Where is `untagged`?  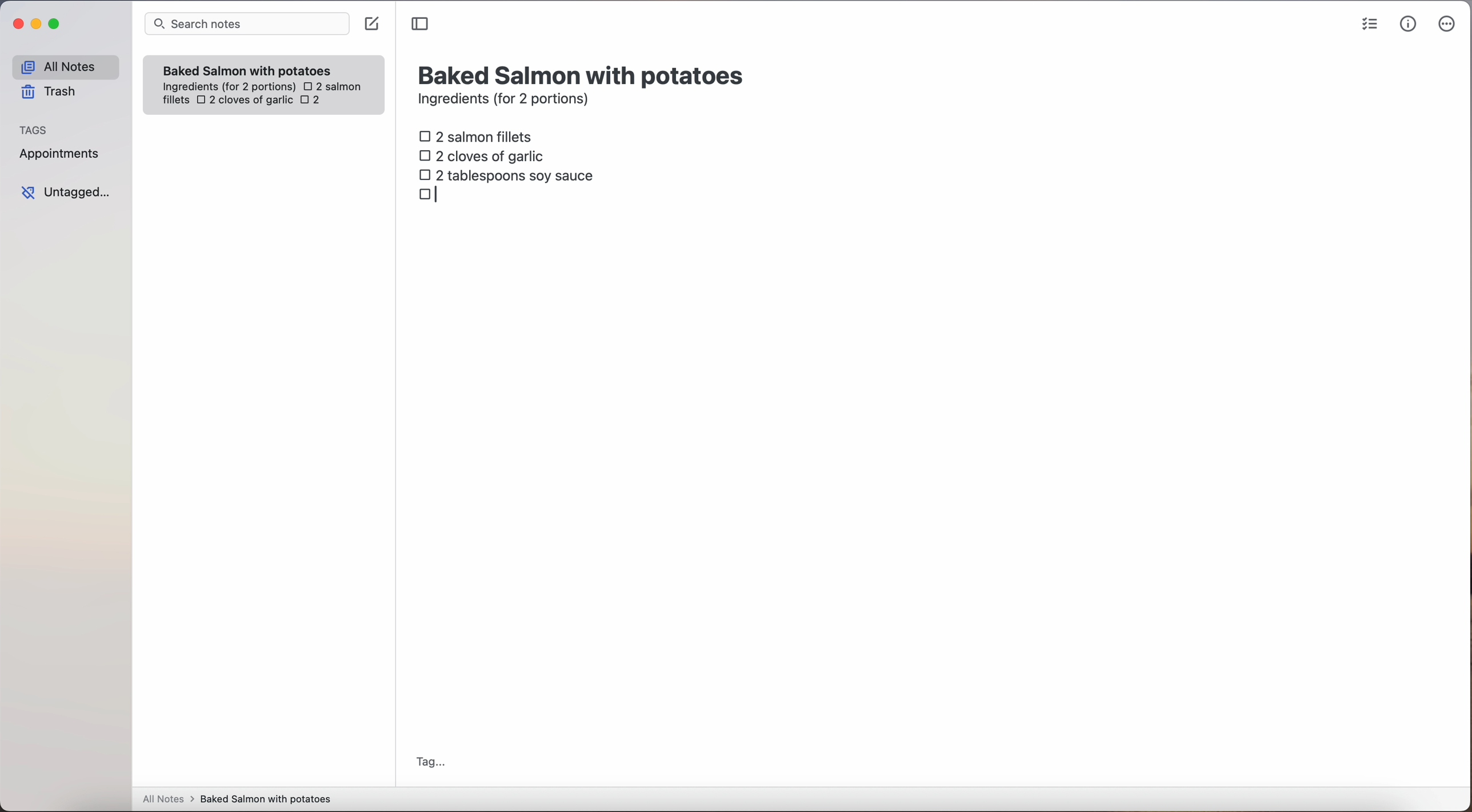
untagged is located at coordinates (67, 192).